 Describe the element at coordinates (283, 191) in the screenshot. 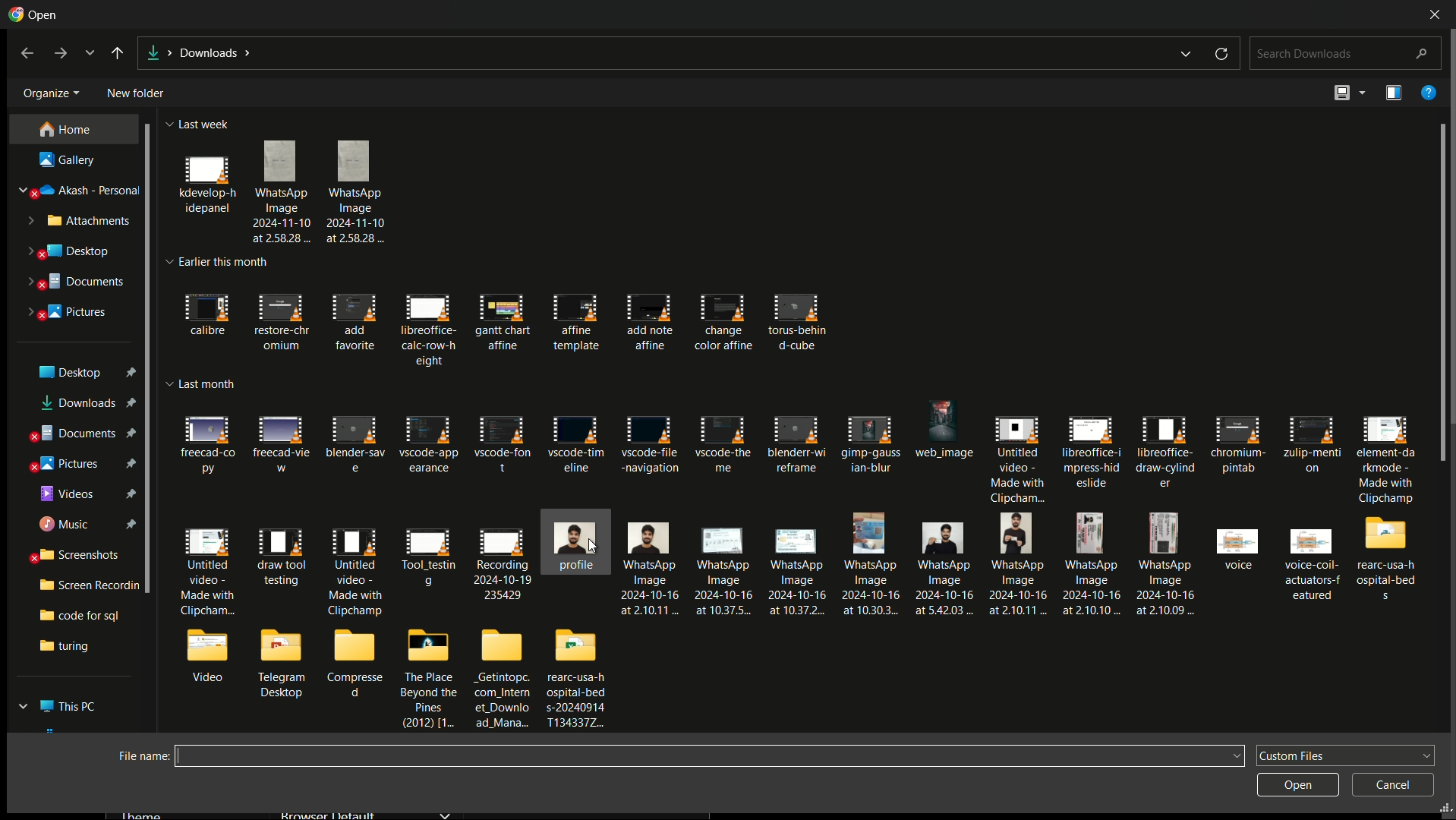

I see `files` at that location.